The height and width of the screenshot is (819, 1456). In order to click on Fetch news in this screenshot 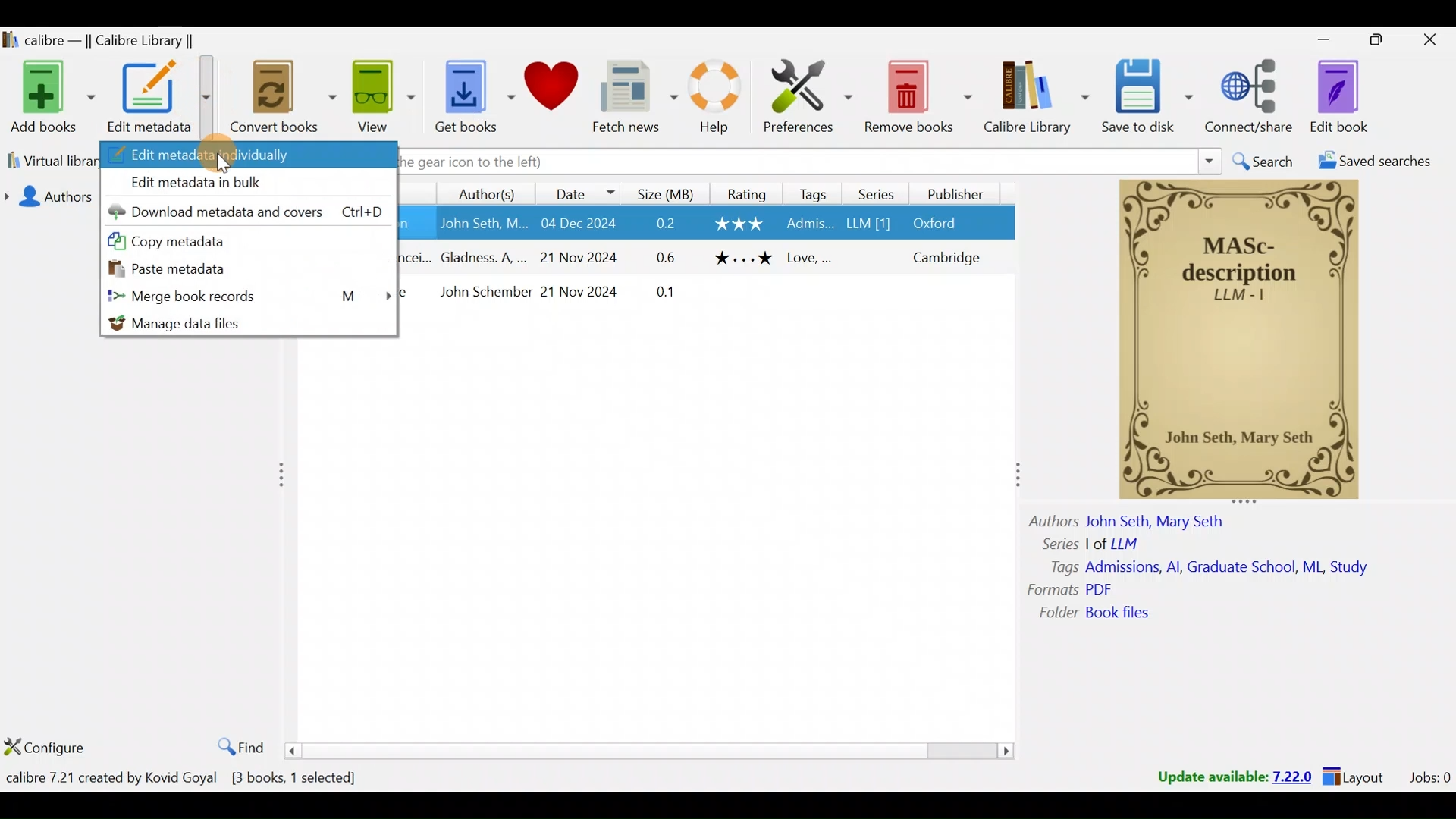, I will do `click(636, 102)`.